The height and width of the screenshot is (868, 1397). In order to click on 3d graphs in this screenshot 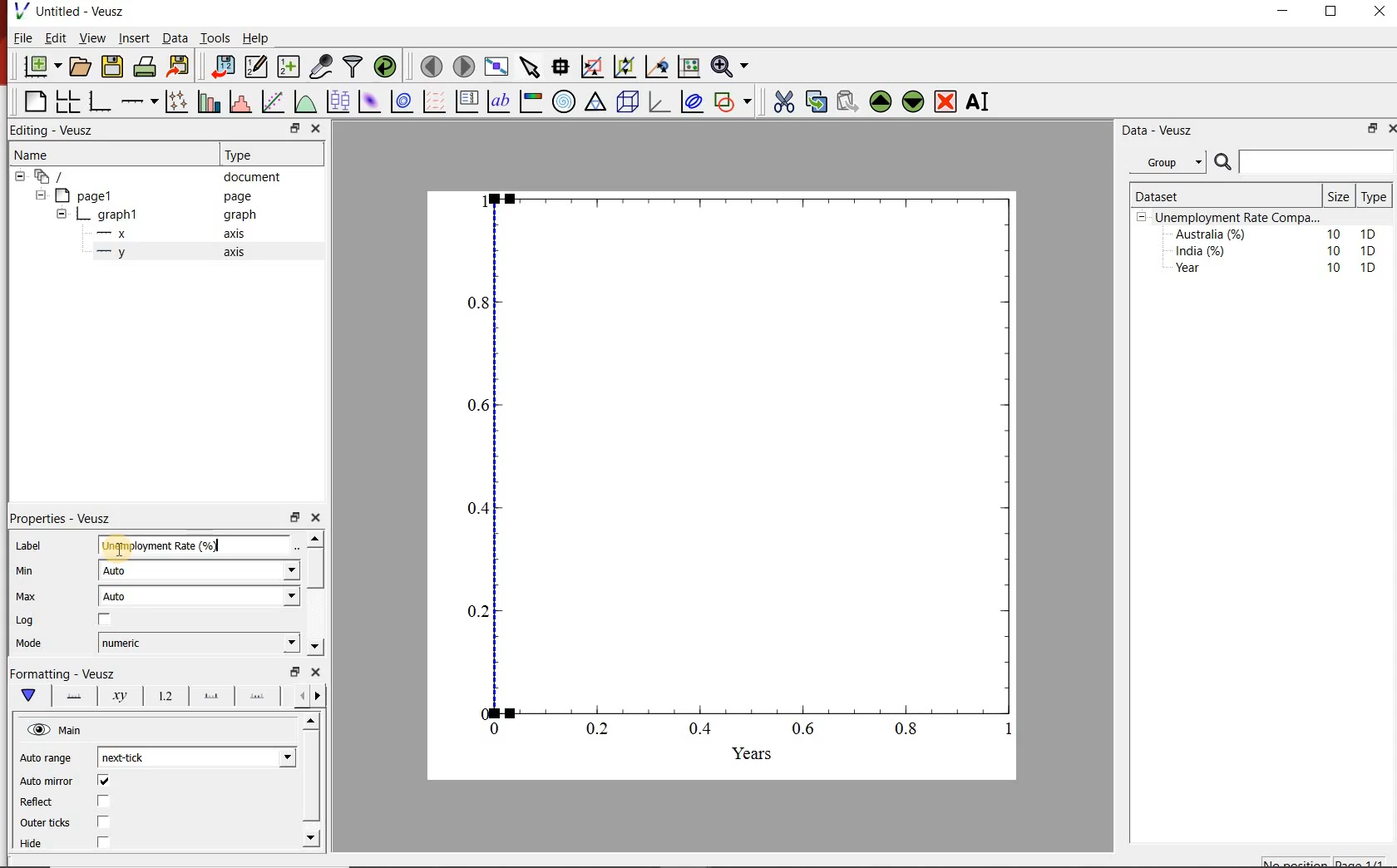, I will do `click(659, 101)`.